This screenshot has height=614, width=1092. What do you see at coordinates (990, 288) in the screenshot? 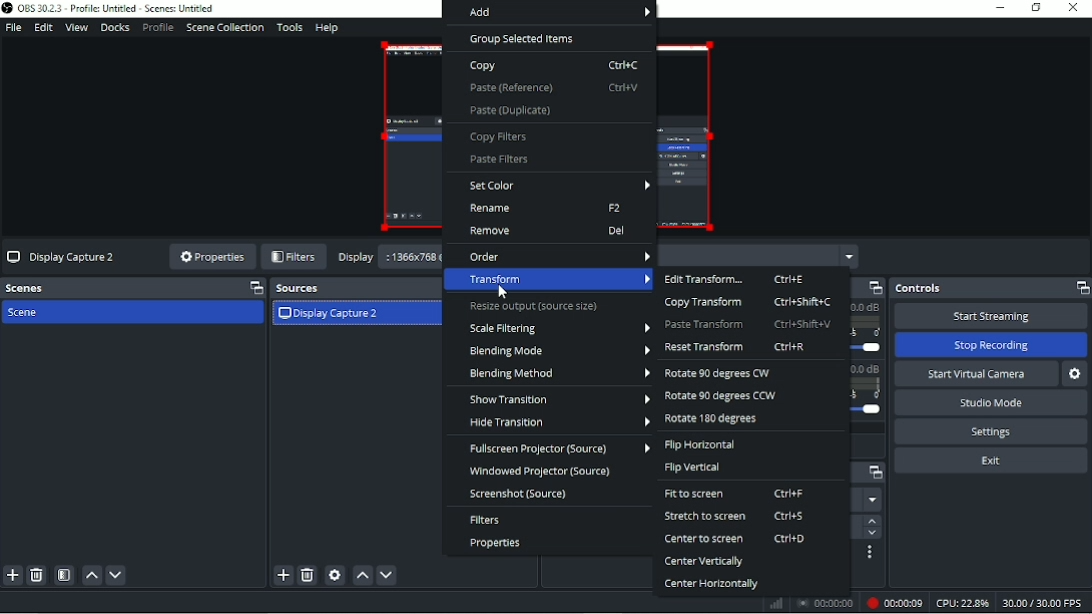
I see `Controls` at bounding box center [990, 288].